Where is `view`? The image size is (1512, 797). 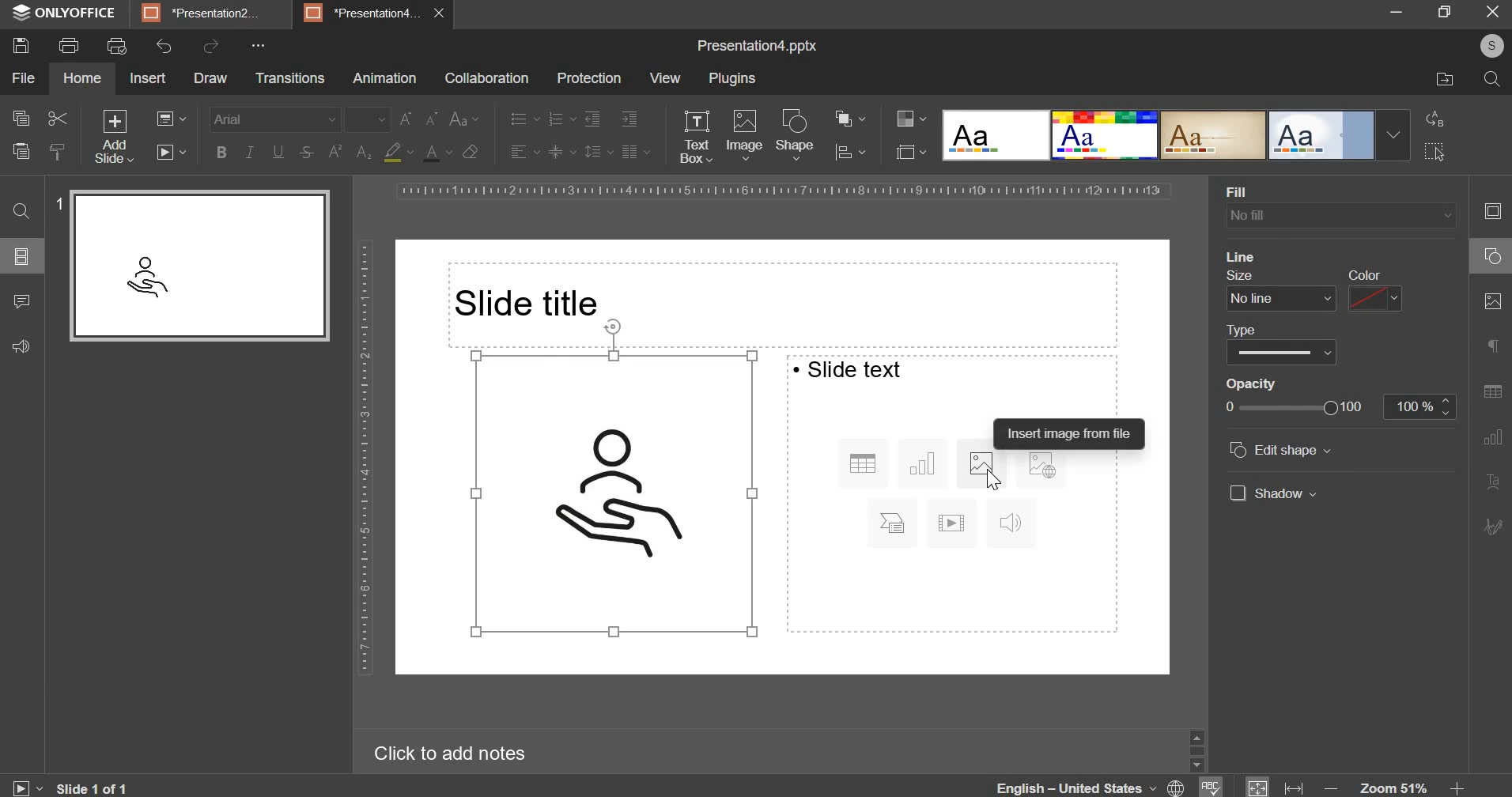
view is located at coordinates (667, 77).